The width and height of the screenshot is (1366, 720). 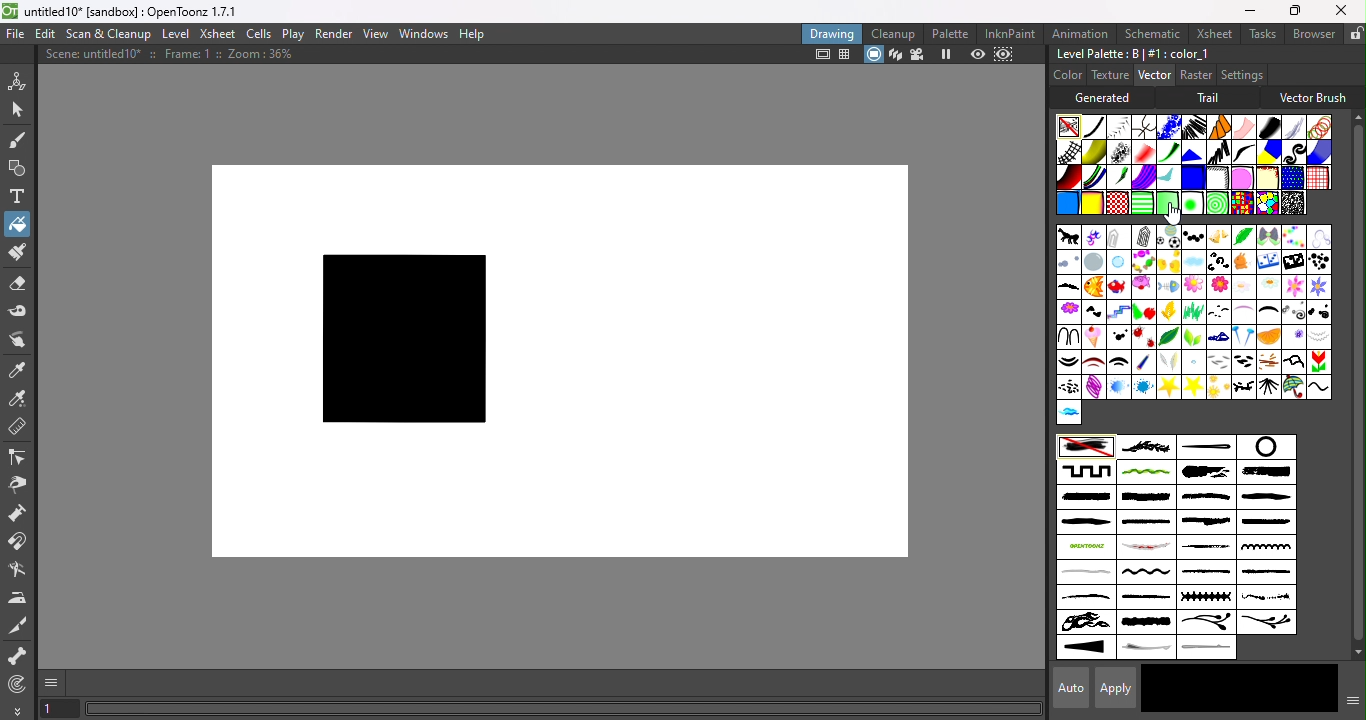 I want to click on fish3, so click(x=1143, y=286).